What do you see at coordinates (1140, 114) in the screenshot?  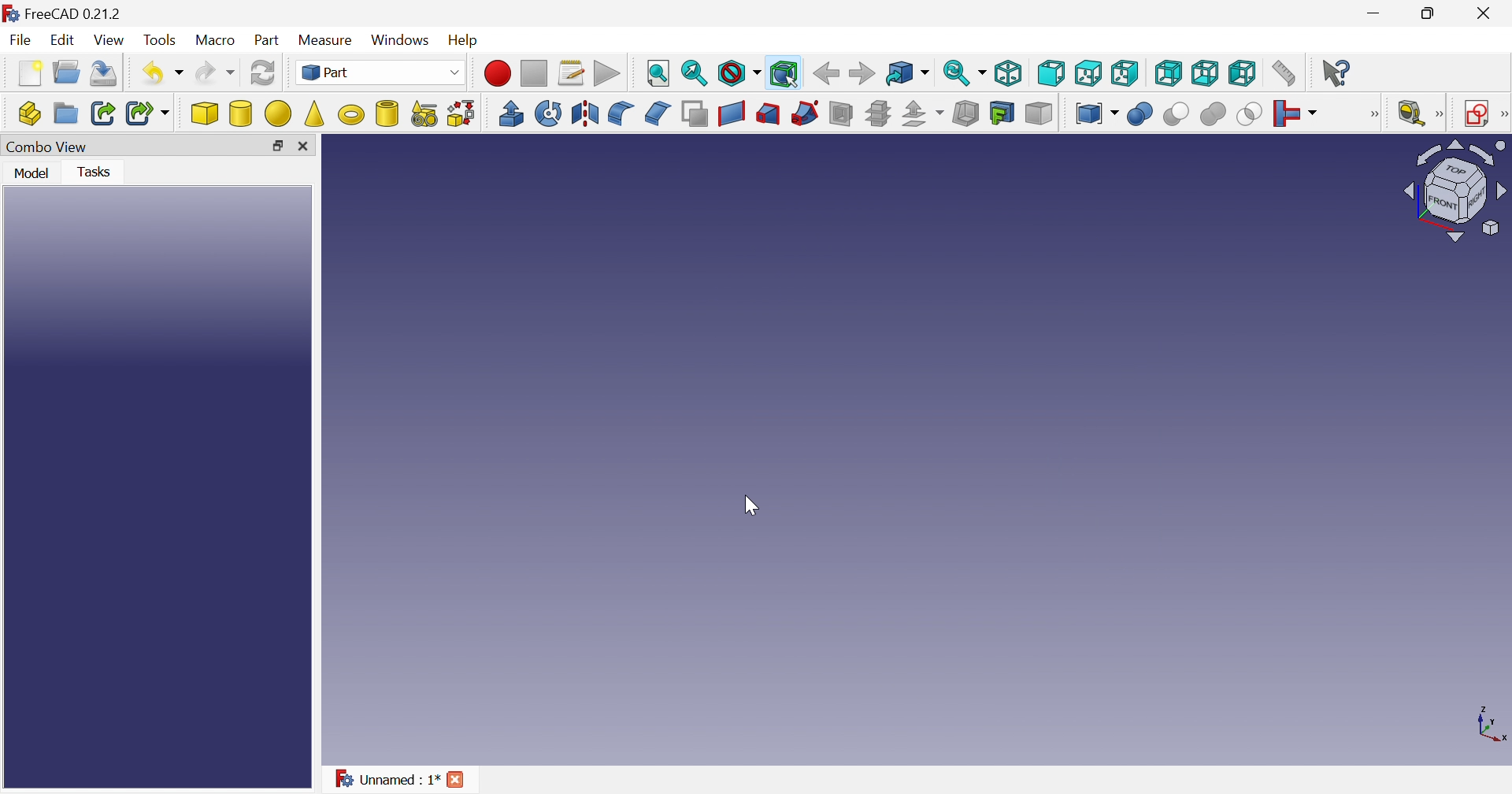 I see `Boolean ` at bounding box center [1140, 114].